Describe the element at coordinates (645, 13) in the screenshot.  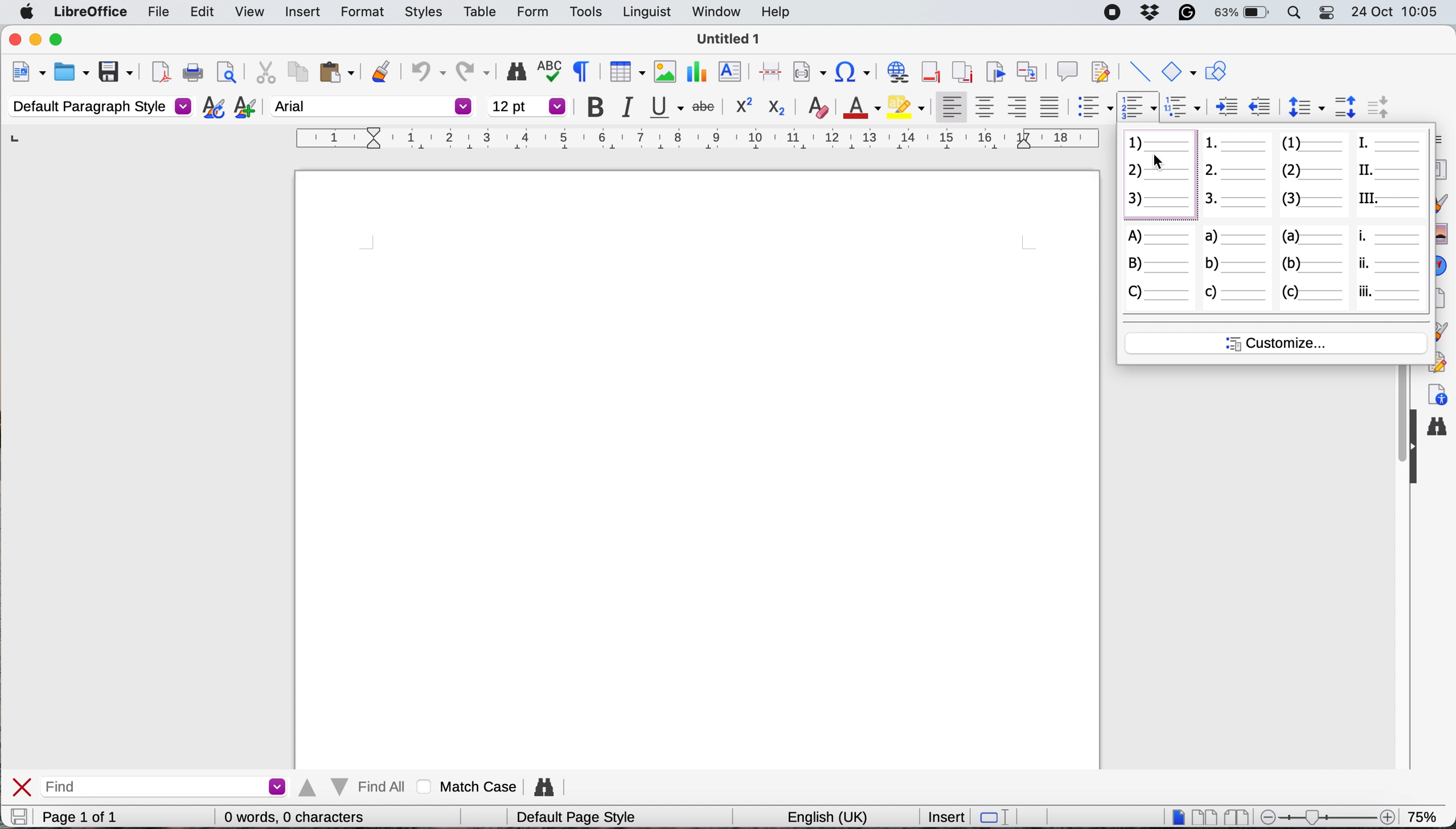
I see `linguist` at that location.